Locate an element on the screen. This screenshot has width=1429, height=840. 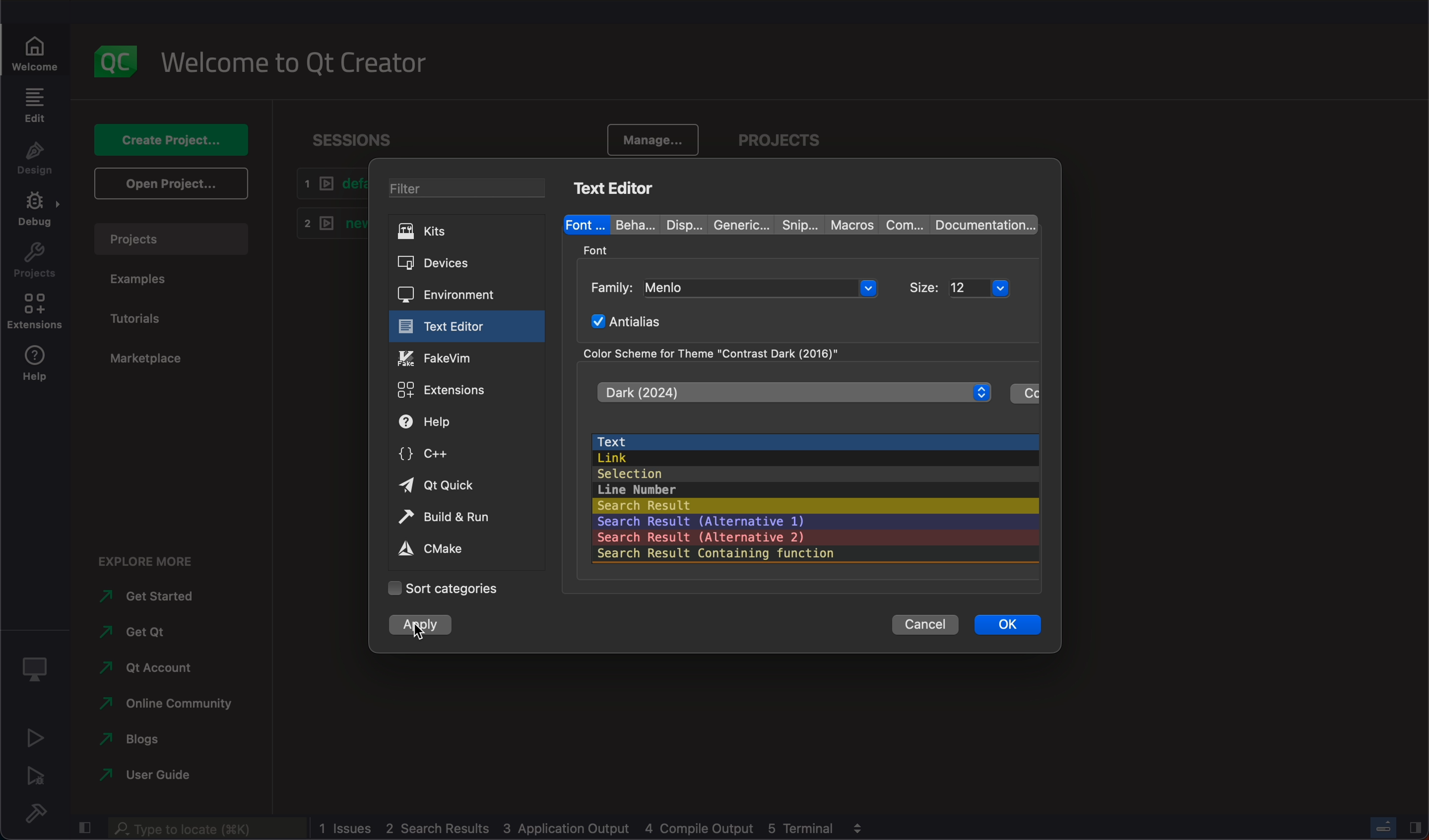
font is located at coordinates (582, 223).